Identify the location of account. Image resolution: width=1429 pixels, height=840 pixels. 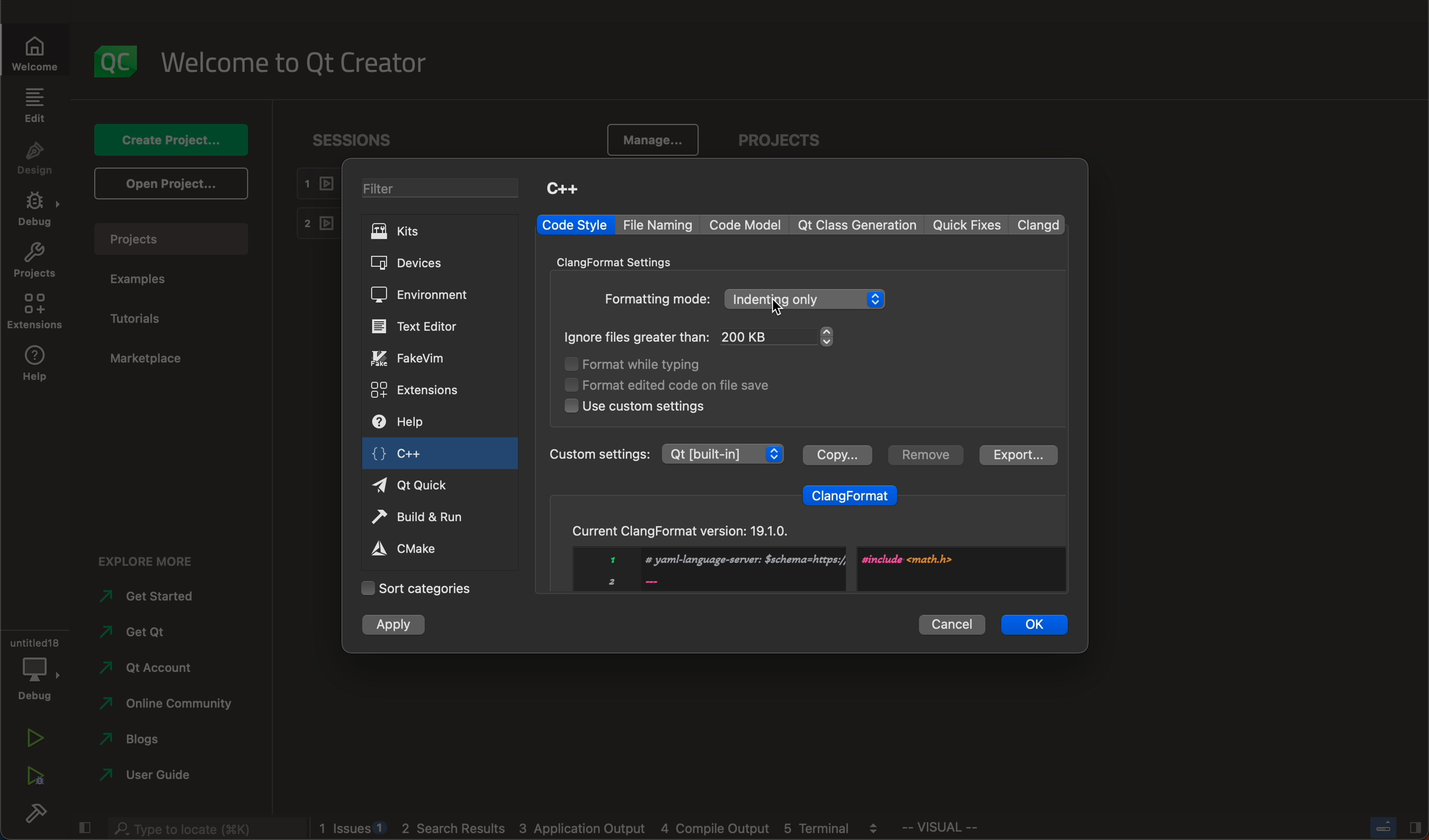
(147, 668).